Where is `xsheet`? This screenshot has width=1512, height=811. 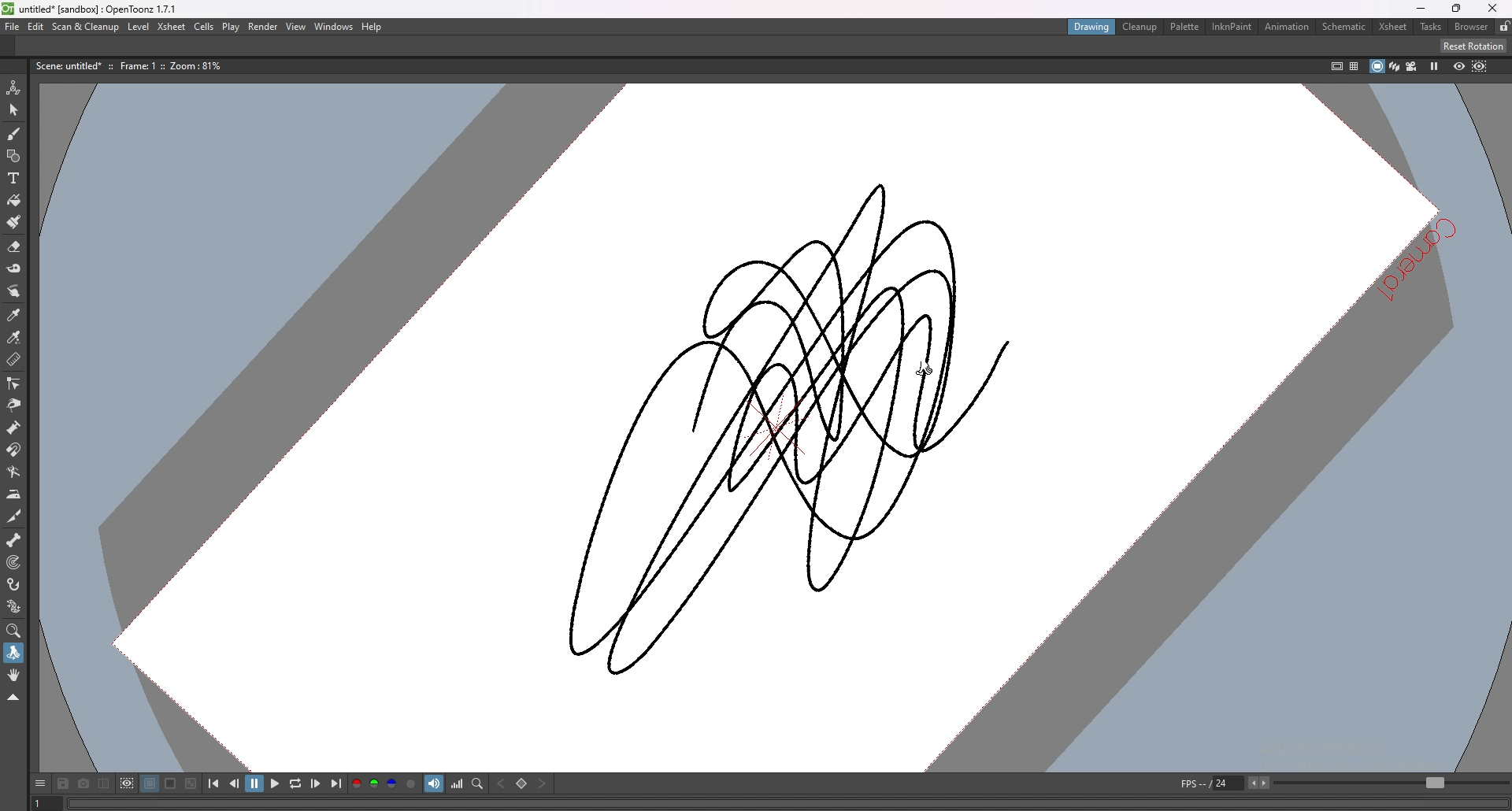
xsheet is located at coordinates (1395, 27).